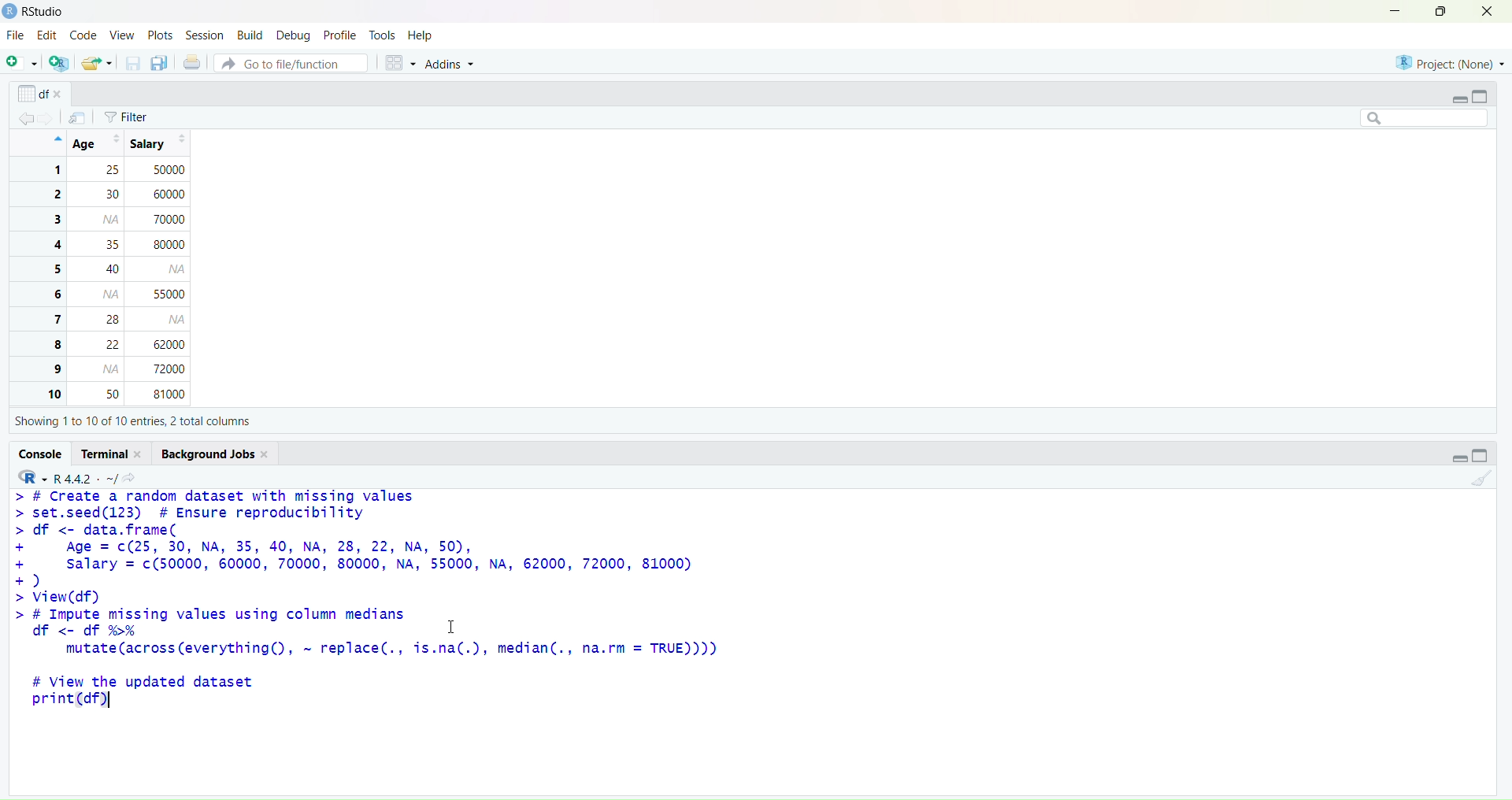  Describe the element at coordinates (206, 36) in the screenshot. I see `session` at that location.